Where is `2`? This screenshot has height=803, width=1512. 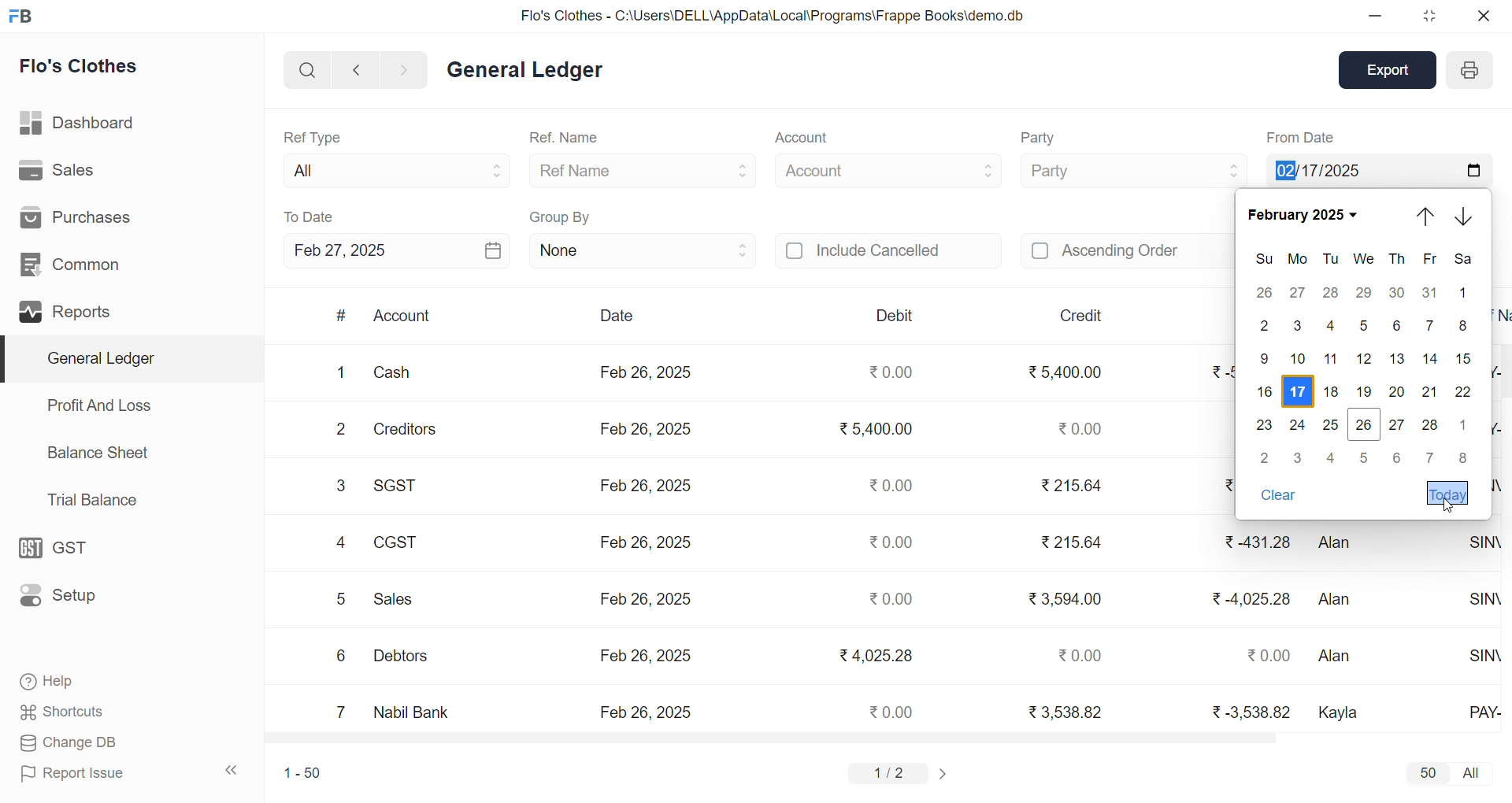
2 is located at coordinates (1266, 326).